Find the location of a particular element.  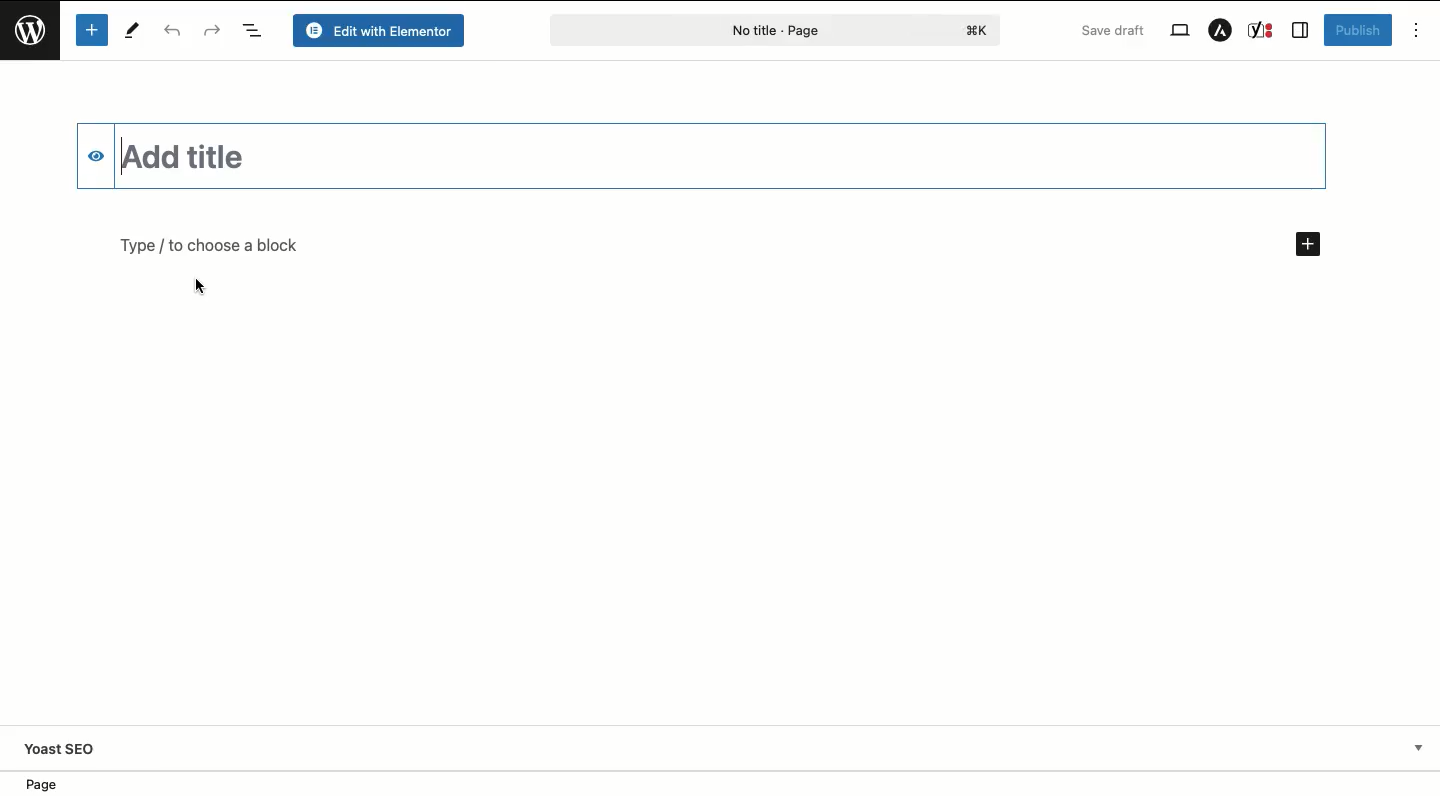

Astra is located at coordinates (1219, 31).